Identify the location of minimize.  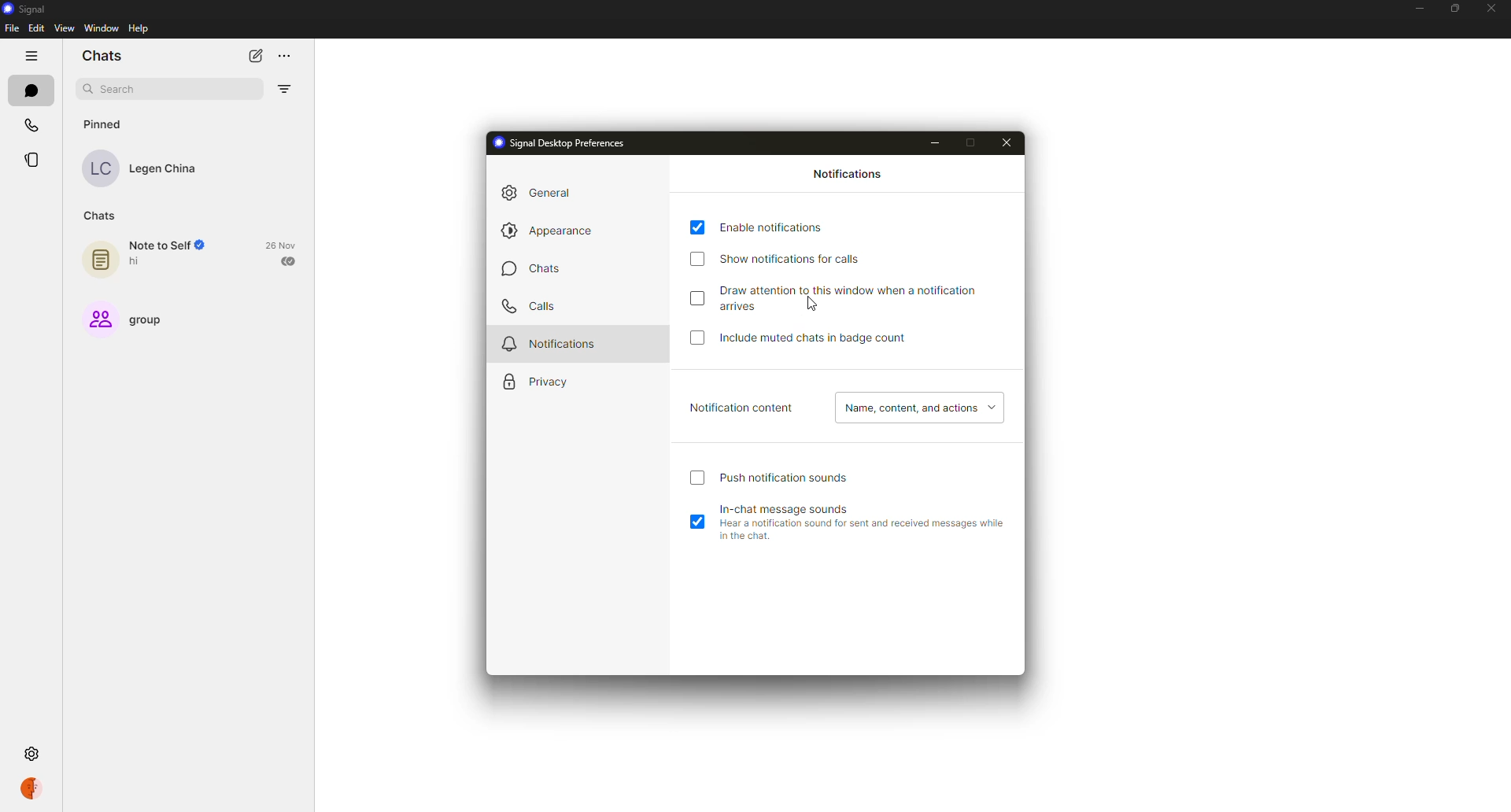
(1417, 8).